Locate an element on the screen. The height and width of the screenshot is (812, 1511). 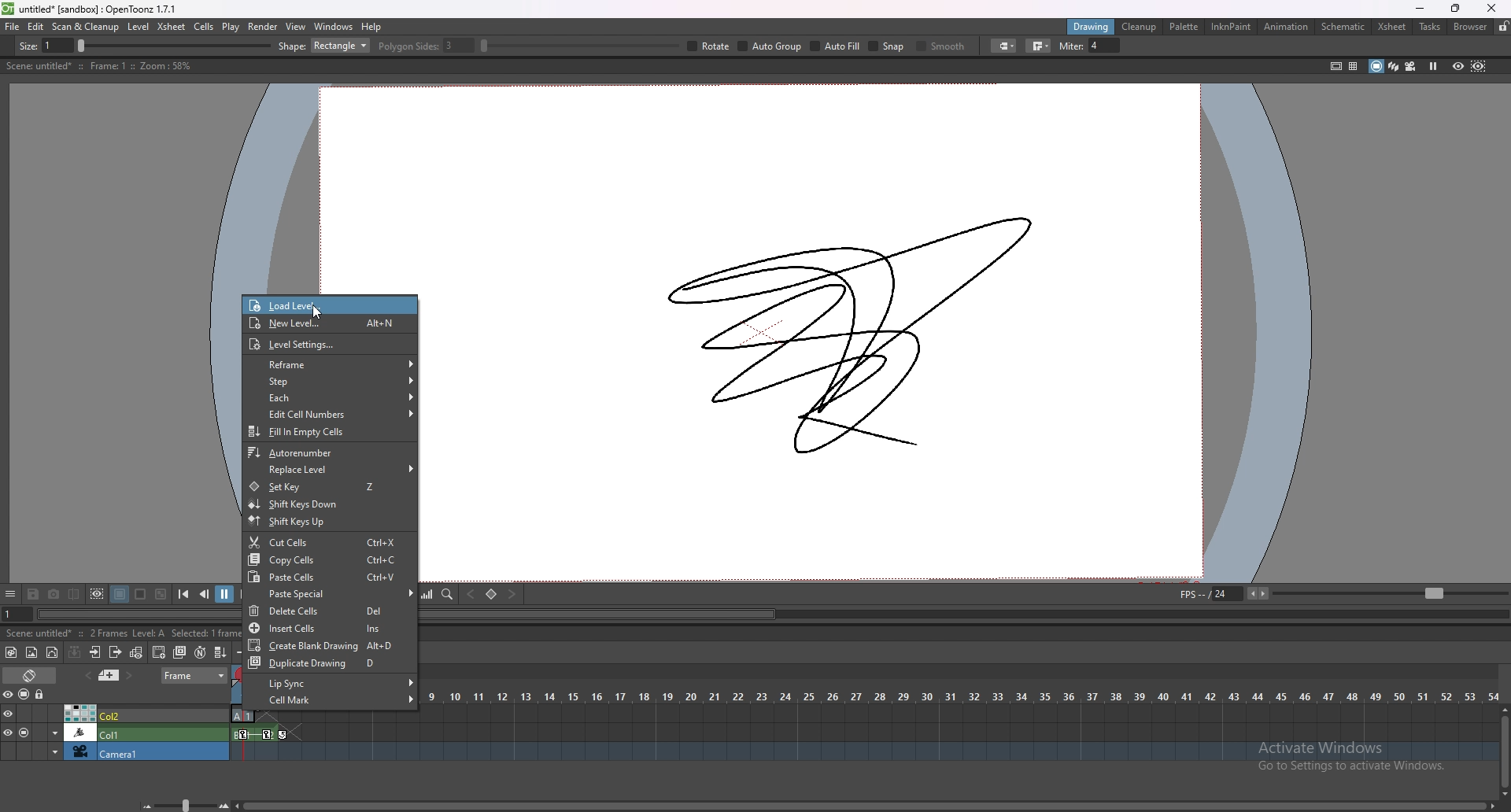
load level is located at coordinates (279, 305).